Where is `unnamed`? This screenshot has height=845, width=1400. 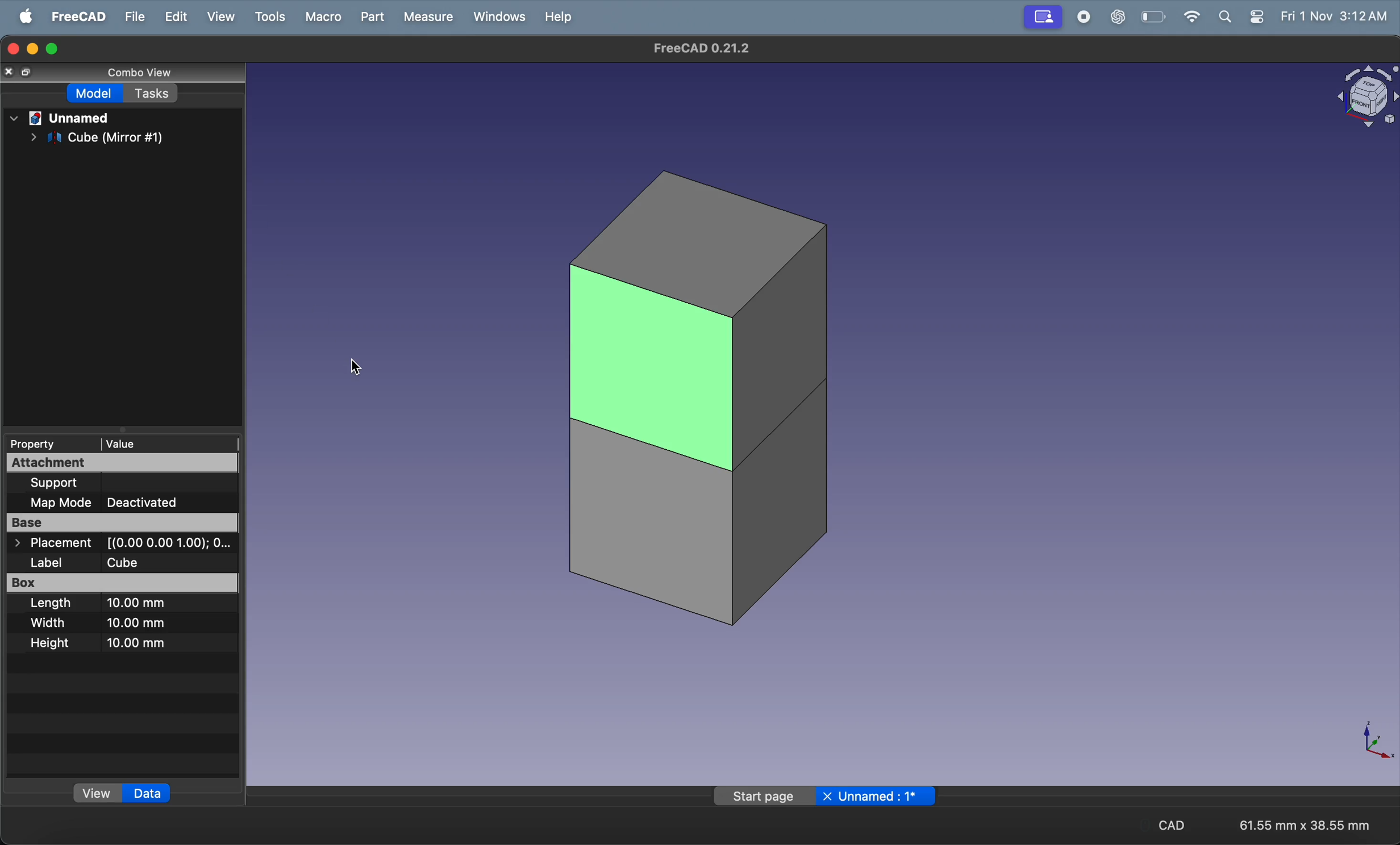 unnamed is located at coordinates (881, 797).